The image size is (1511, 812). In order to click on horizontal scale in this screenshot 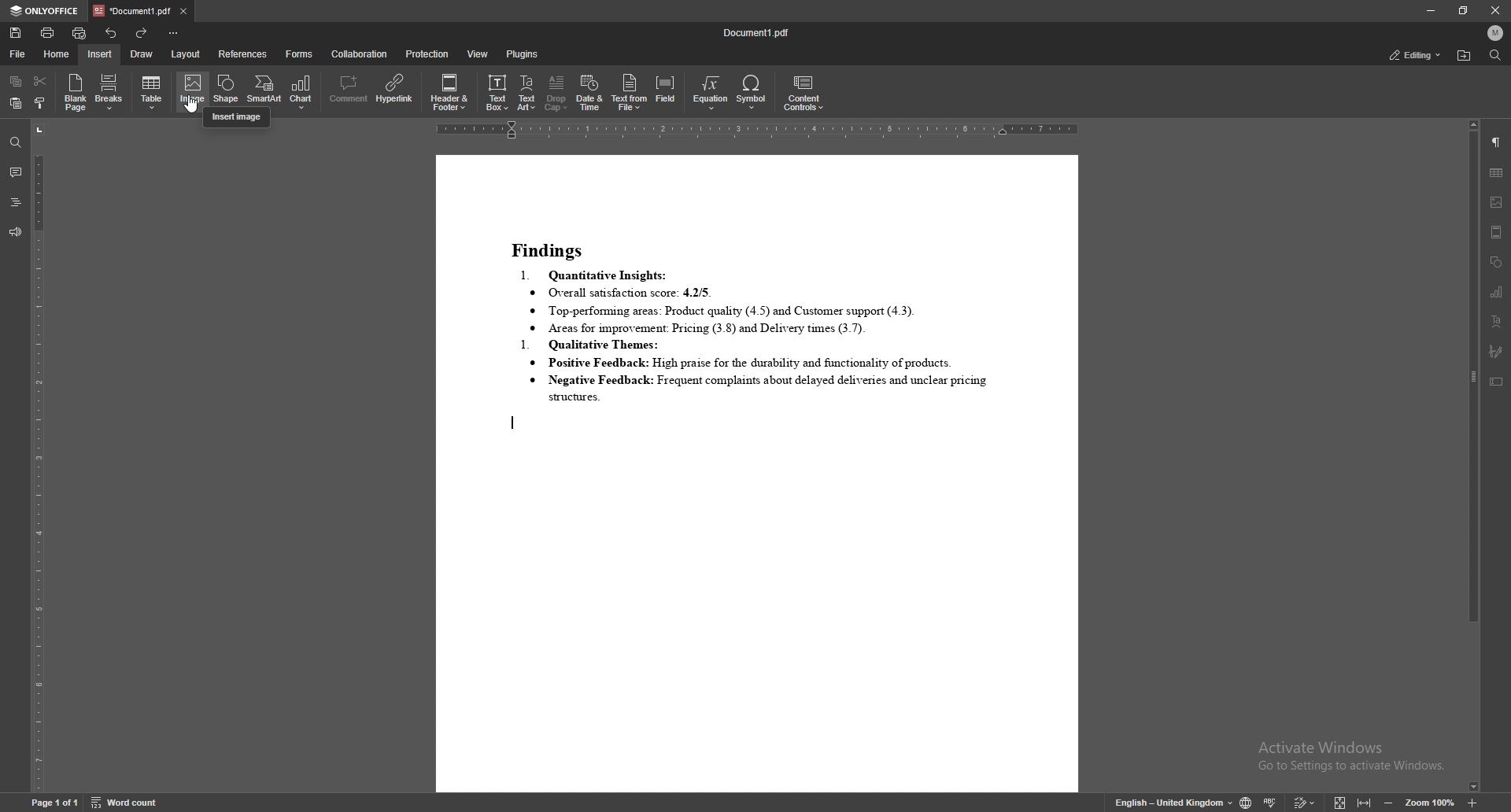, I will do `click(758, 131)`.